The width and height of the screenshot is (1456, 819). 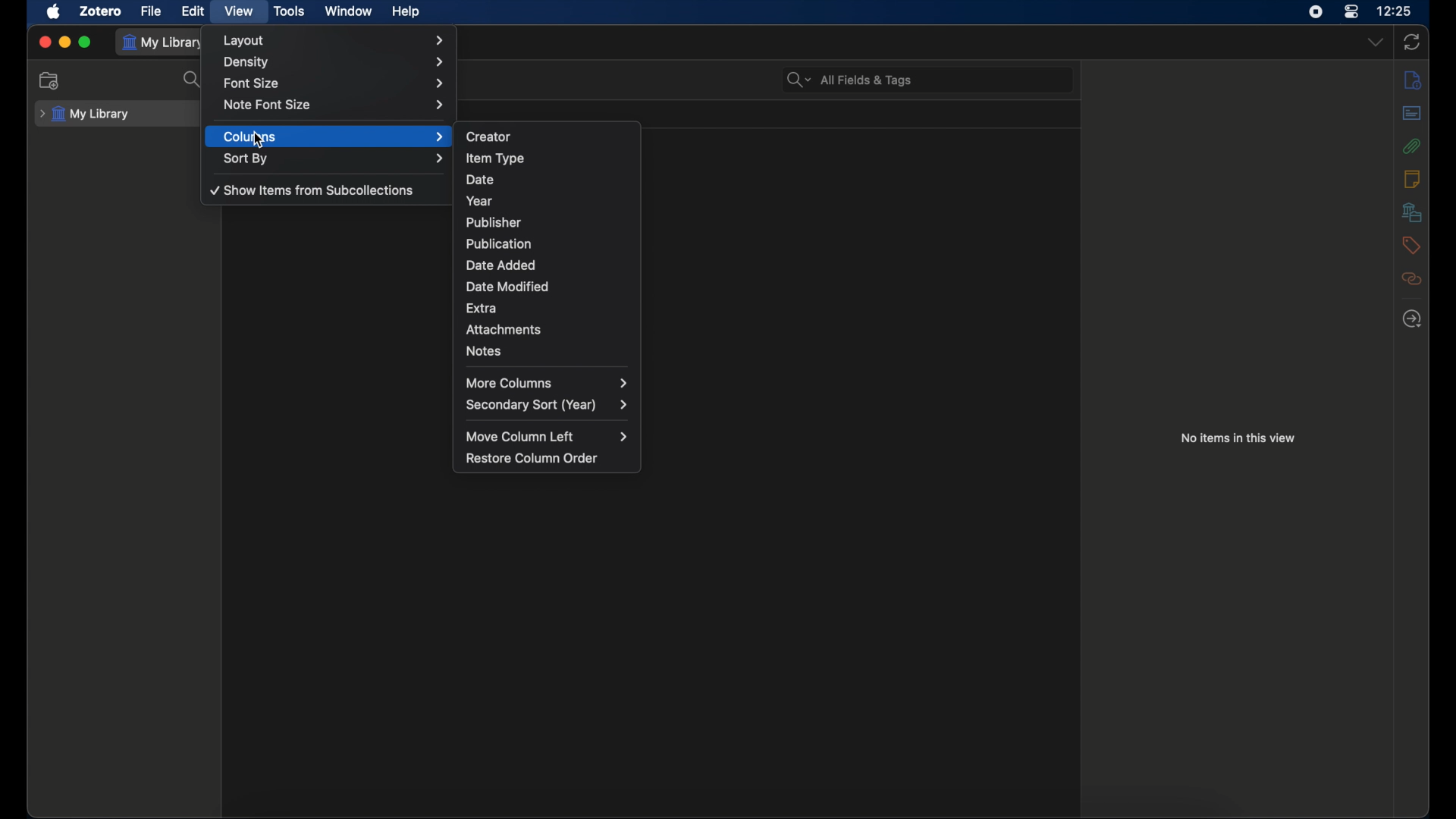 What do you see at coordinates (85, 115) in the screenshot?
I see `my library` at bounding box center [85, 115].